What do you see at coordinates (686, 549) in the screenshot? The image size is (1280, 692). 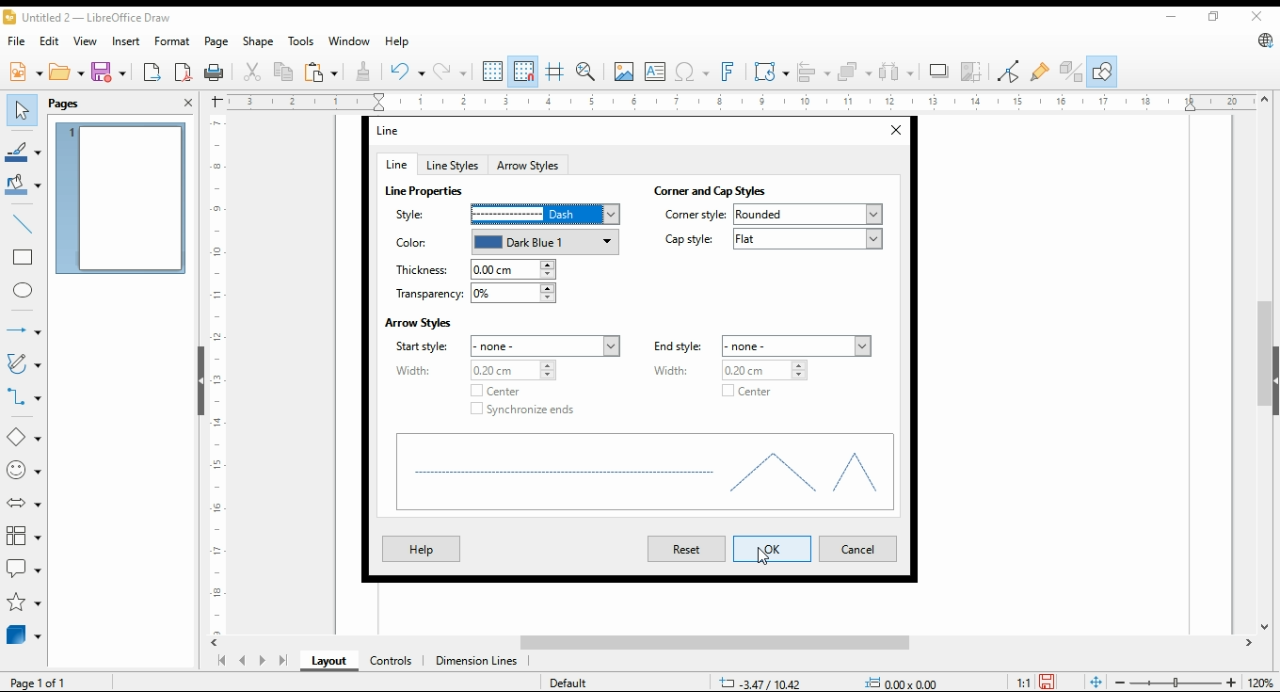 I see `reset` at bounding box center [686, 549].